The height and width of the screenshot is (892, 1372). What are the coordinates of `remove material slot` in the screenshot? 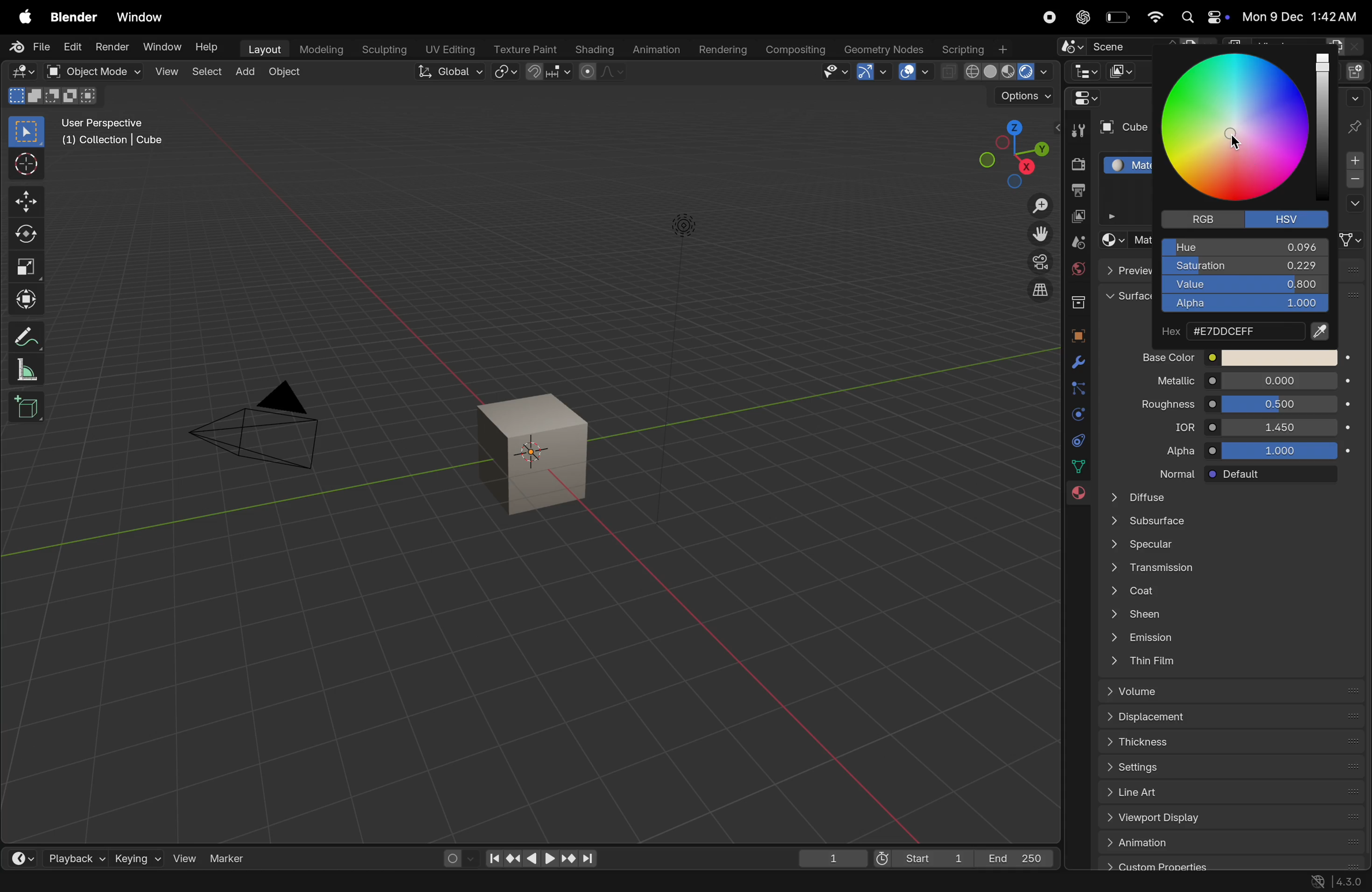 It's located at (1355, 181).